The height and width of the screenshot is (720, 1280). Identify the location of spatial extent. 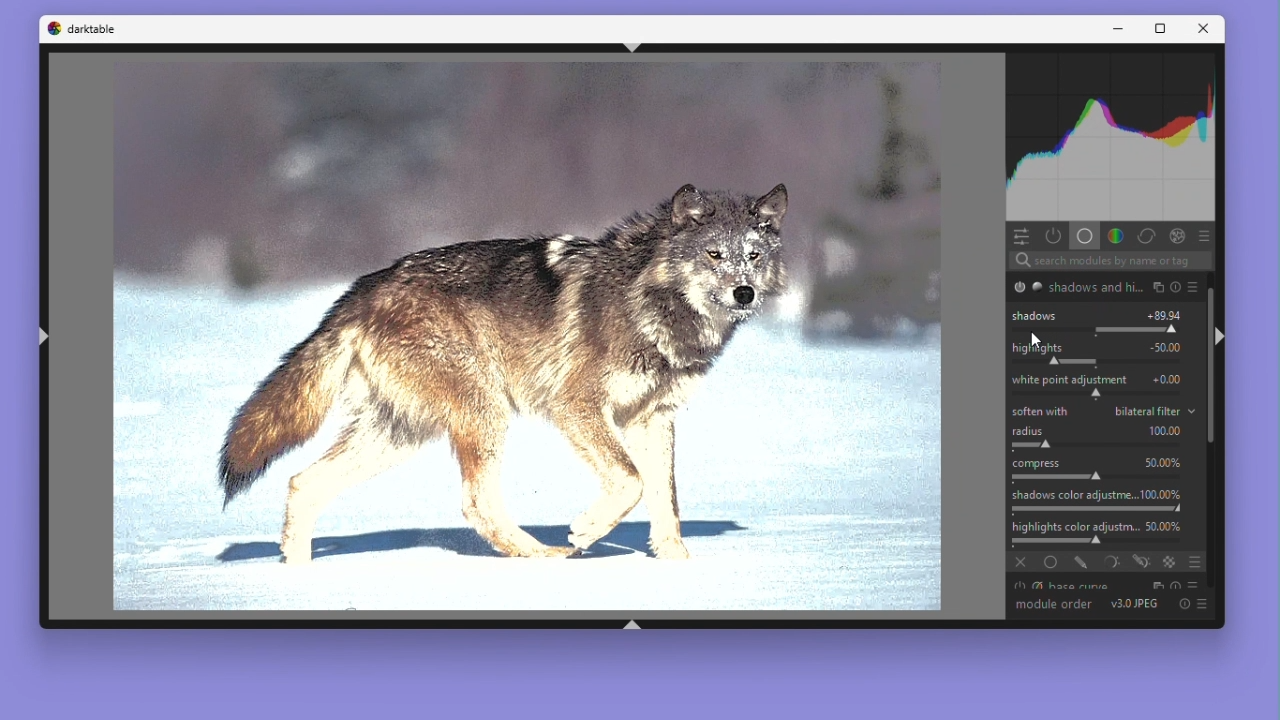
(1033, 445).